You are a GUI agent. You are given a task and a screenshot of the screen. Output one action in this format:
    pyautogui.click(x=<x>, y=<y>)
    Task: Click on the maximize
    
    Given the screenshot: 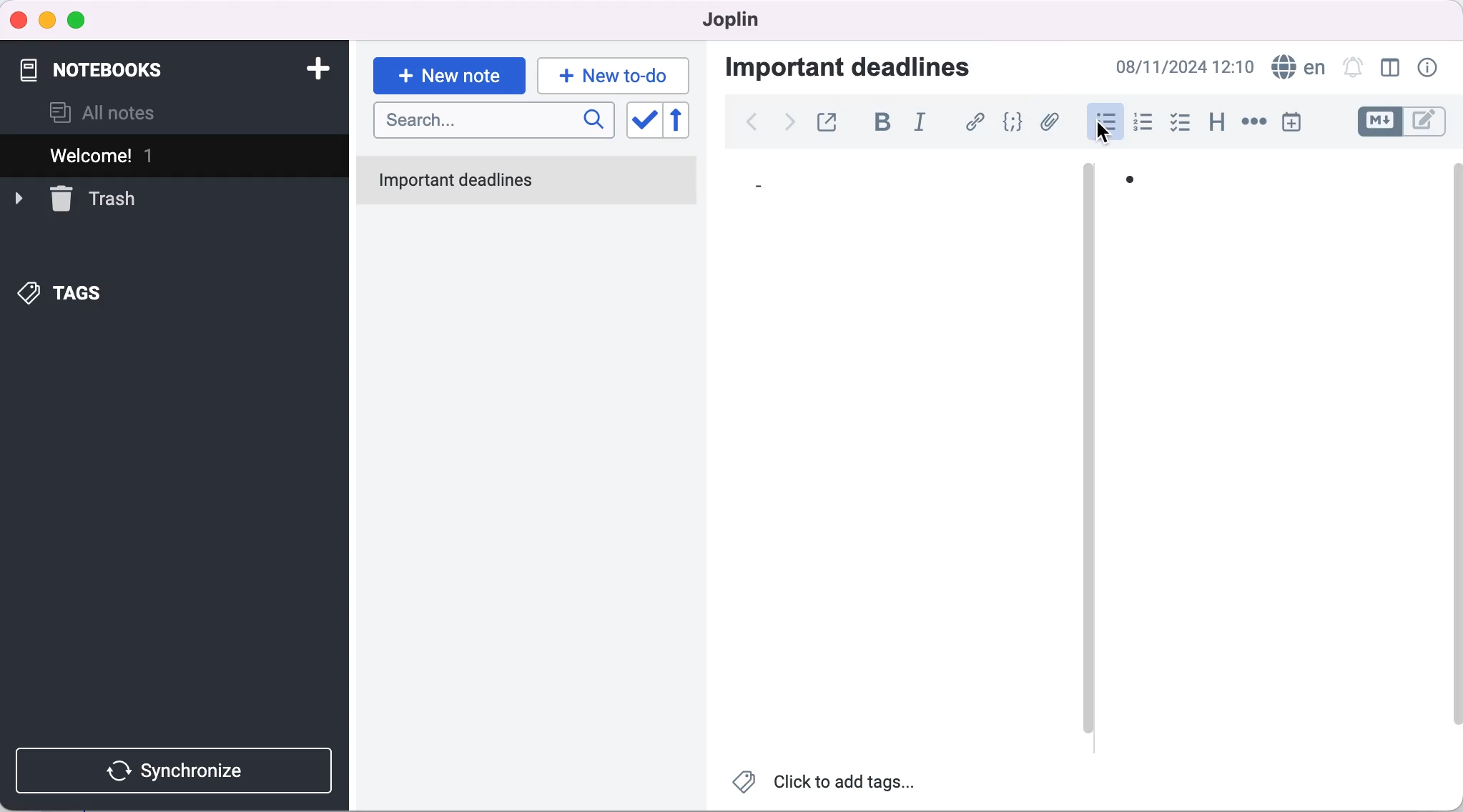 What is the action you would take?
    pyautogui.click(x=81, y=19)
    